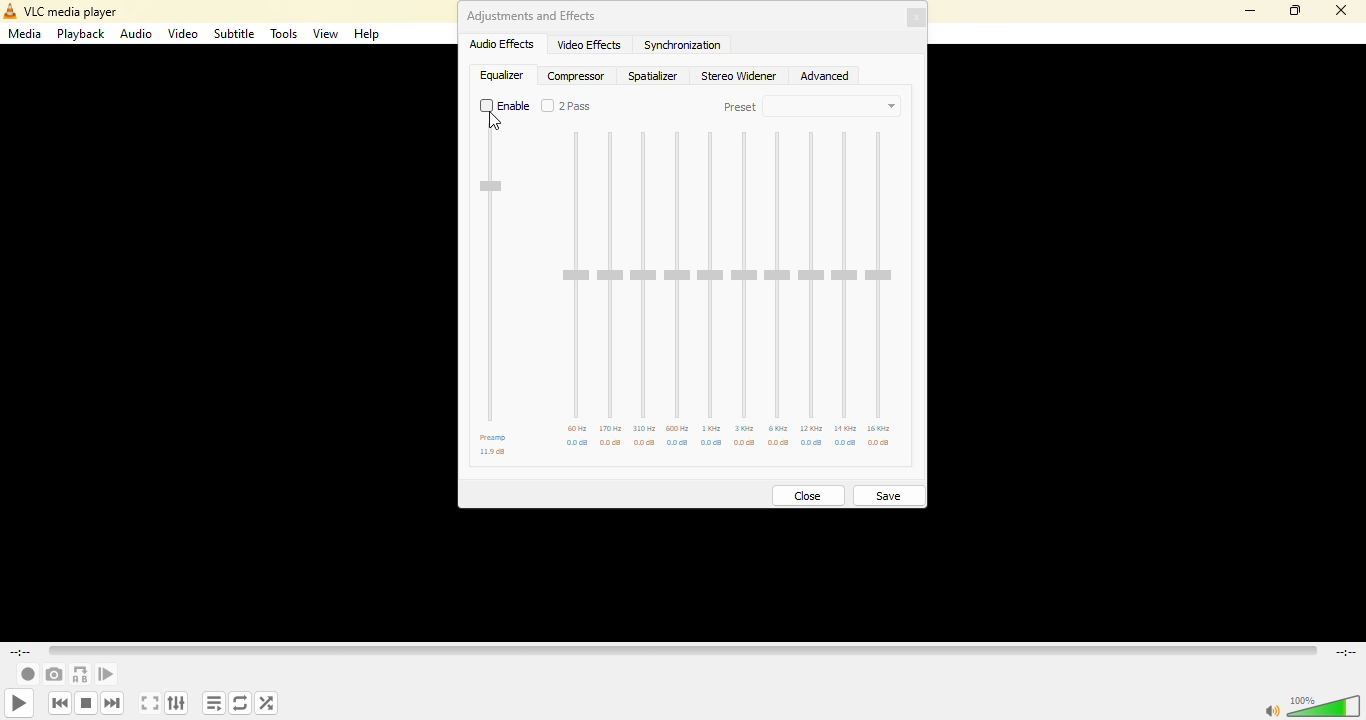 Image resolution: width=1366 pixels, height=720 pixels. What do you see at coordinates (811, 276) in the screenshot?
I see `adjustor` at bounding box center [811, 276].